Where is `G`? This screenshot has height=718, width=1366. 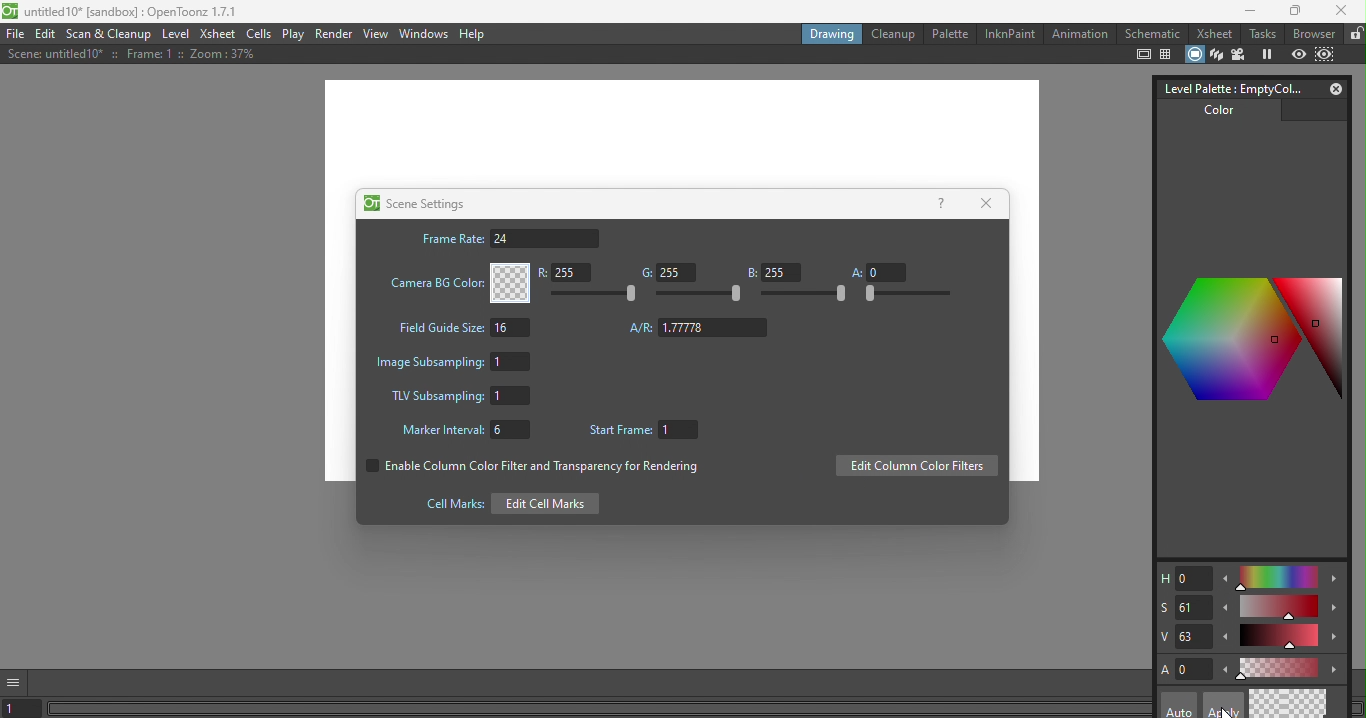
G is located at coordinates (665, 273).